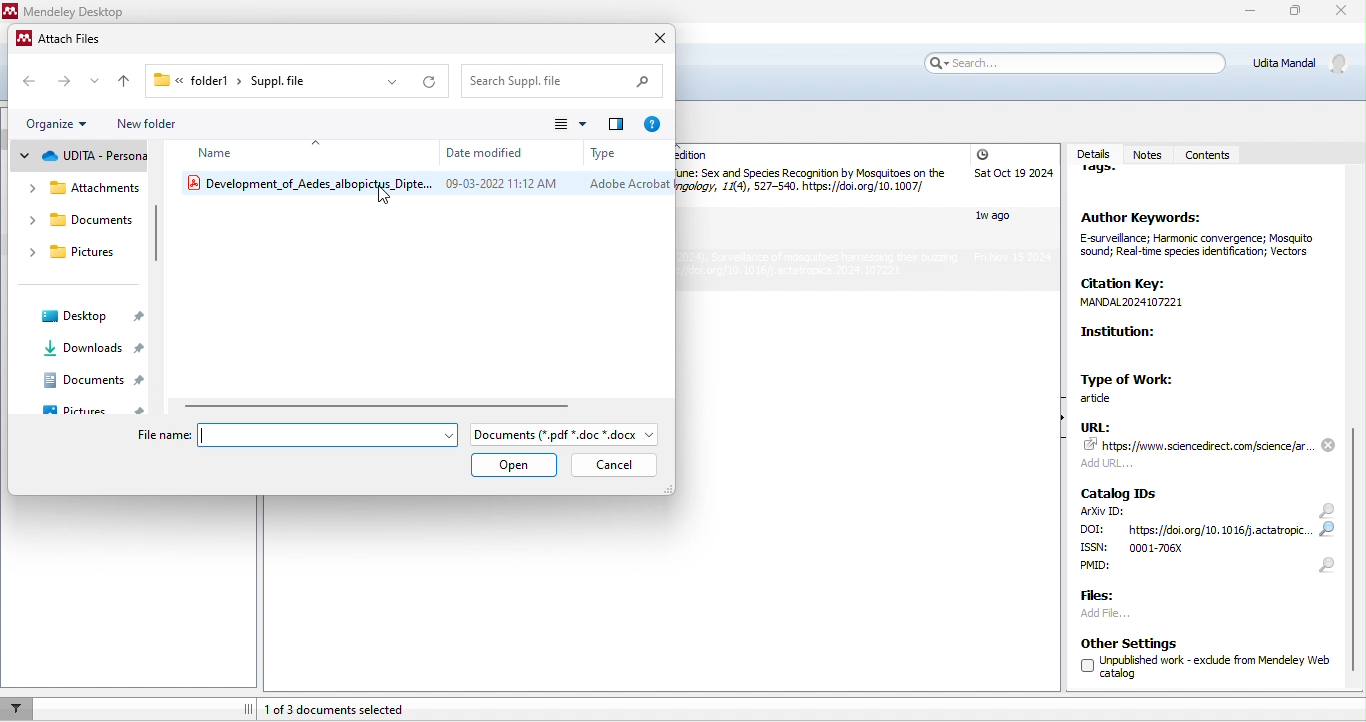  Describe the element at coordinates (1104, 597) in the screenshot. I see `files` at that location.